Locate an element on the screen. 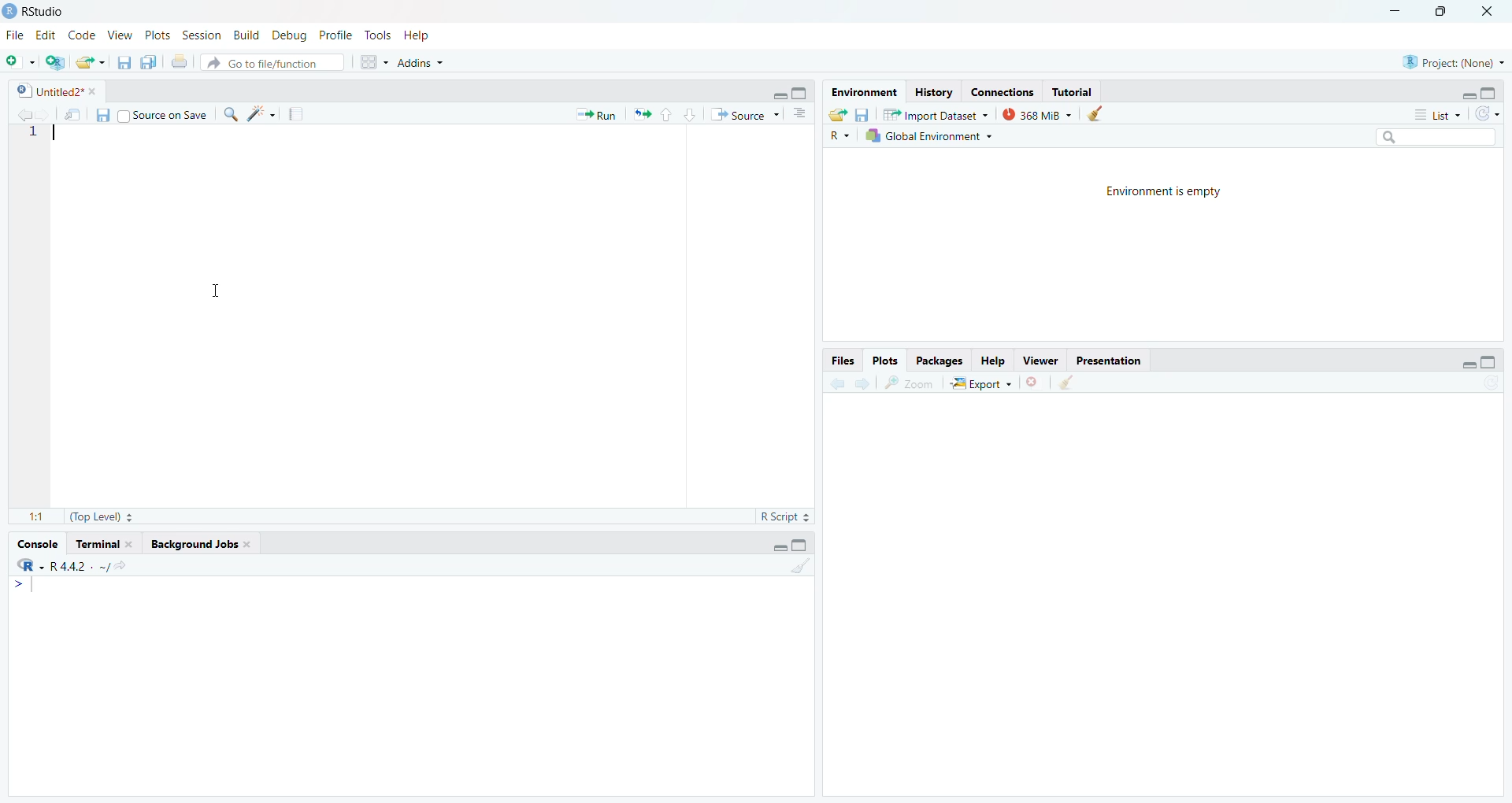 The image size is (1512, 803). downward is located at coordinates (693, 117).